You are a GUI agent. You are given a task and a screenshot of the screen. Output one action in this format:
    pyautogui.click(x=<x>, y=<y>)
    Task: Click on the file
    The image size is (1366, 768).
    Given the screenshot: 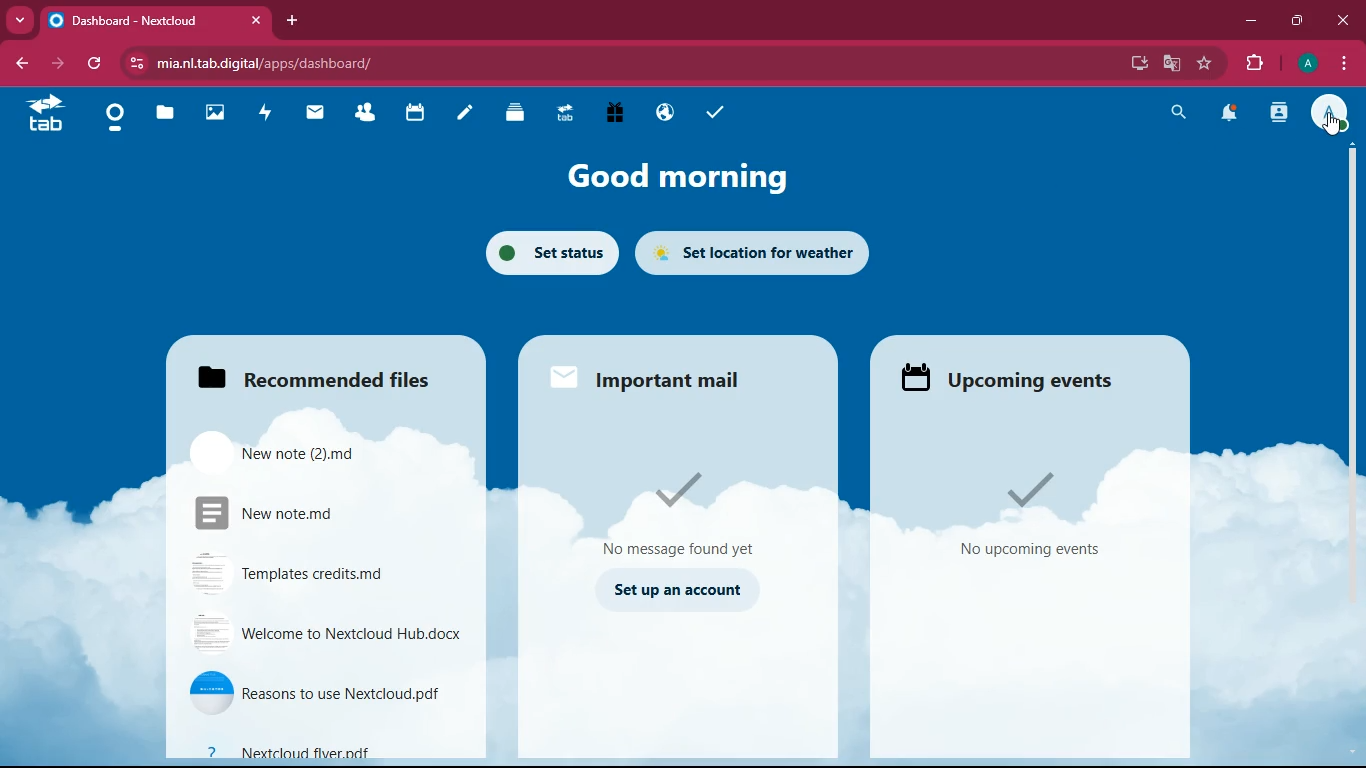 What is the action you would take?
    pyautogui.click(x=285, y=451)
    